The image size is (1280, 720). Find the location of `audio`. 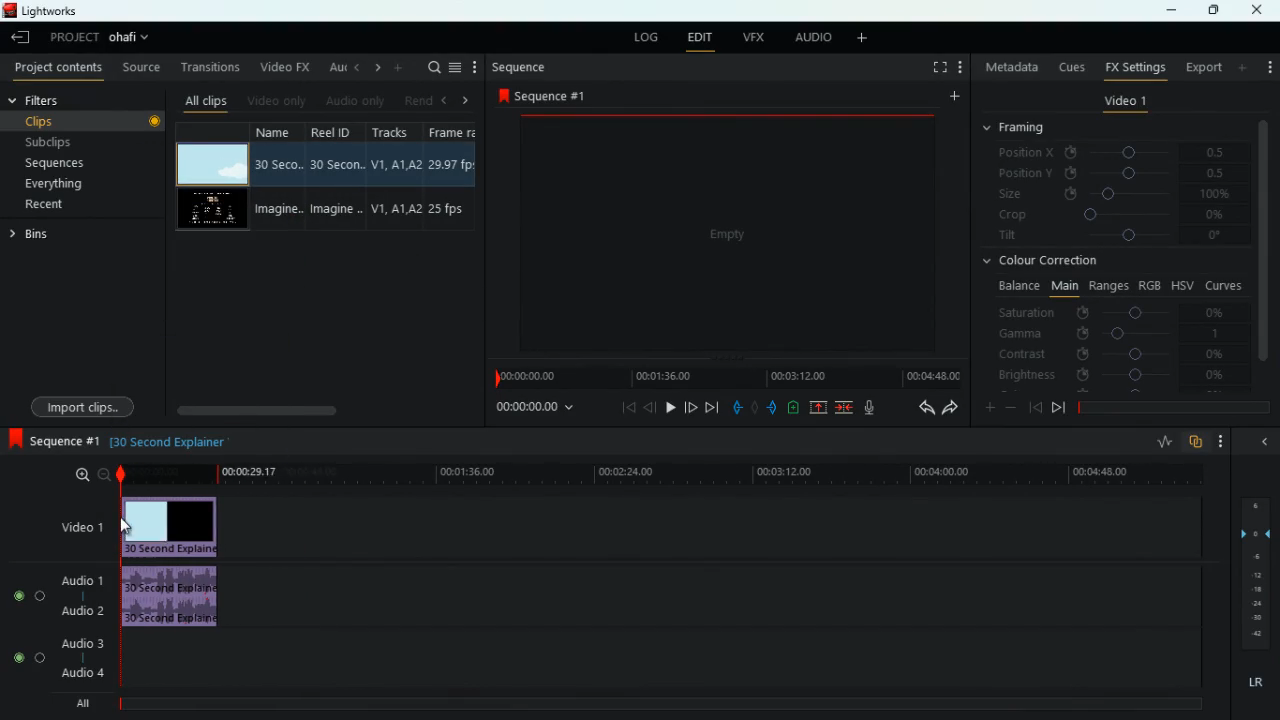

audio is located at coordinates (176, 598).